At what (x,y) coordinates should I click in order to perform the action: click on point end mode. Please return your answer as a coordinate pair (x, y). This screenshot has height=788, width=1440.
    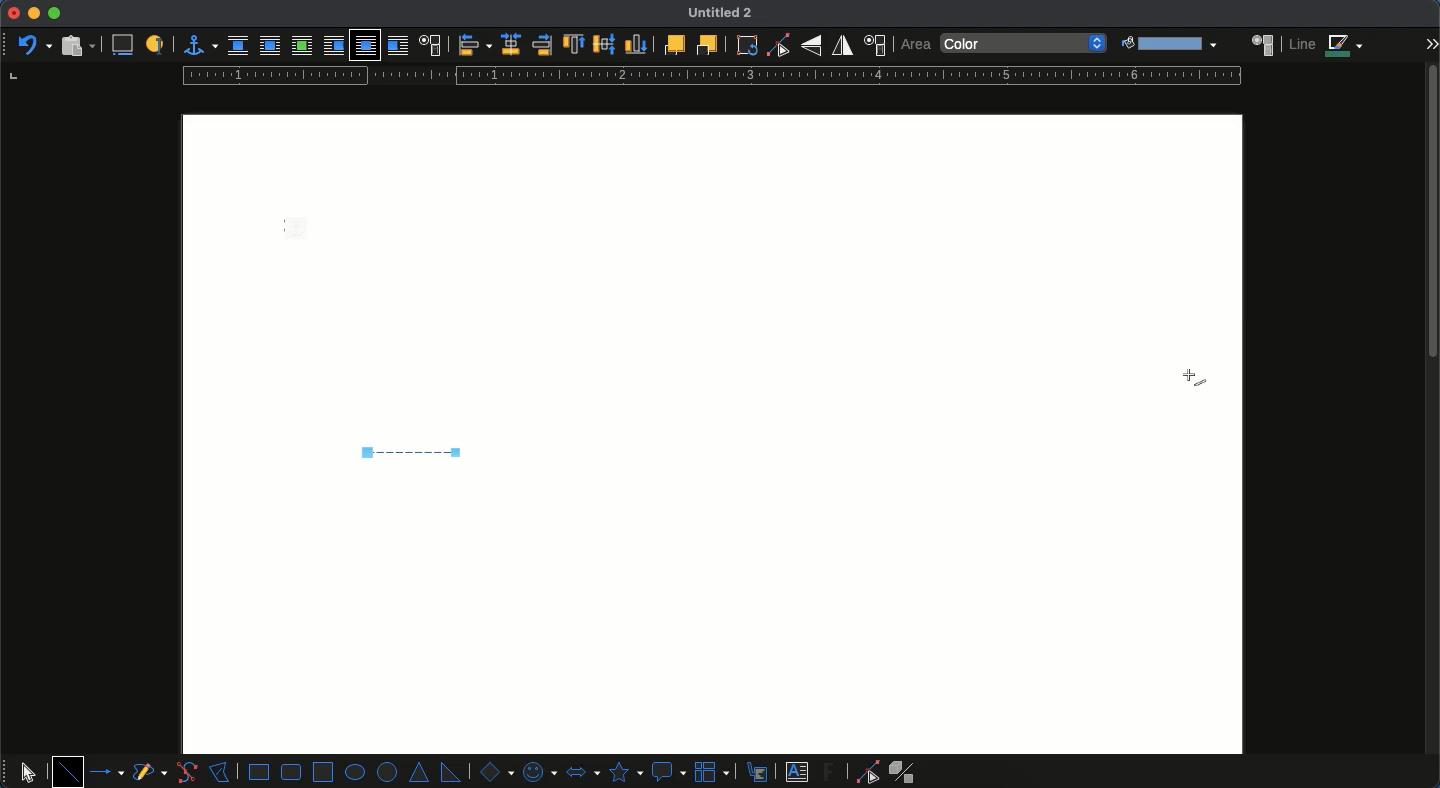
    Looking at the image, I should click on (864, 772).